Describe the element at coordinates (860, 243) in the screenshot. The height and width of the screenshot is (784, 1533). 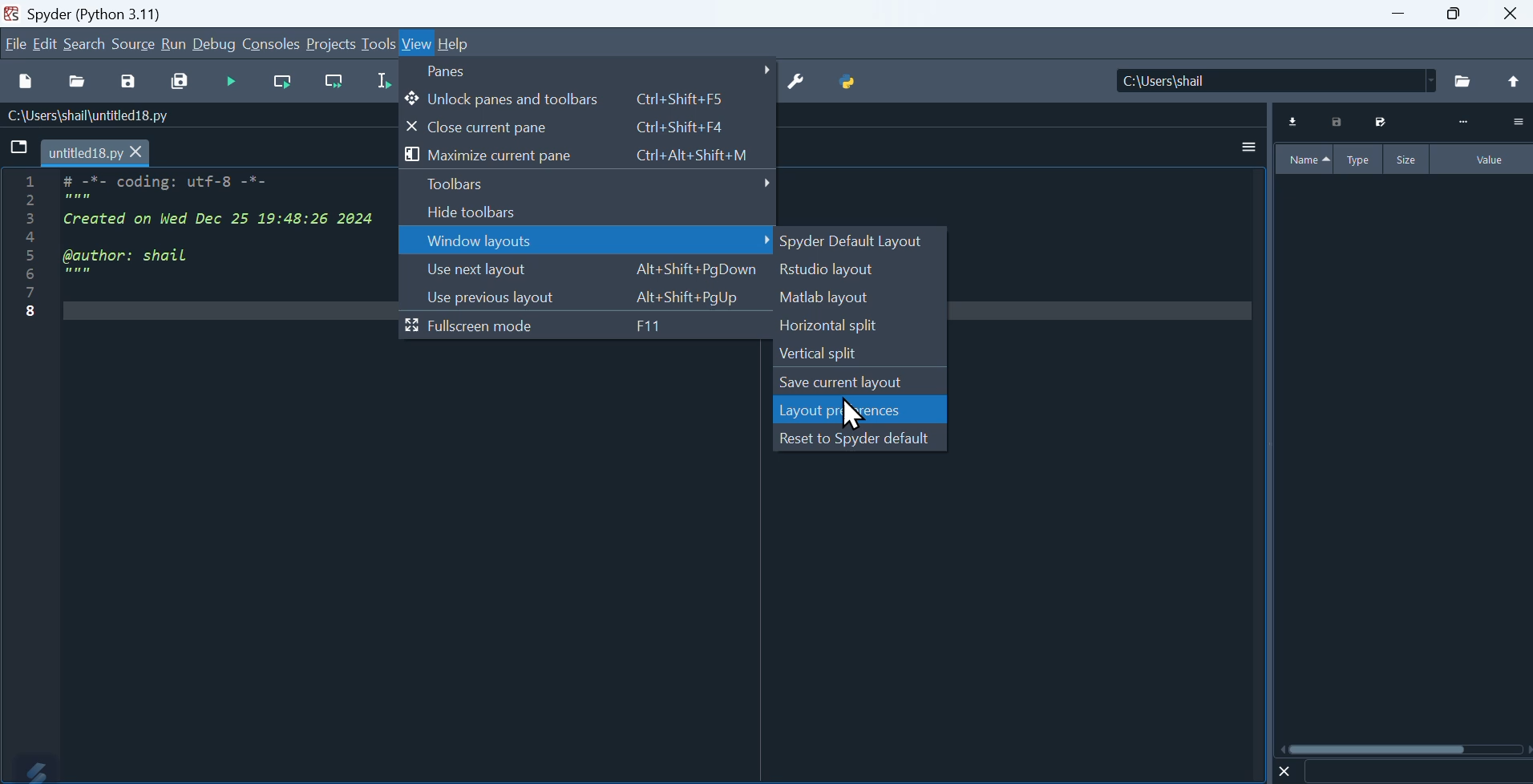
I see `Spyder default layout` at that location.